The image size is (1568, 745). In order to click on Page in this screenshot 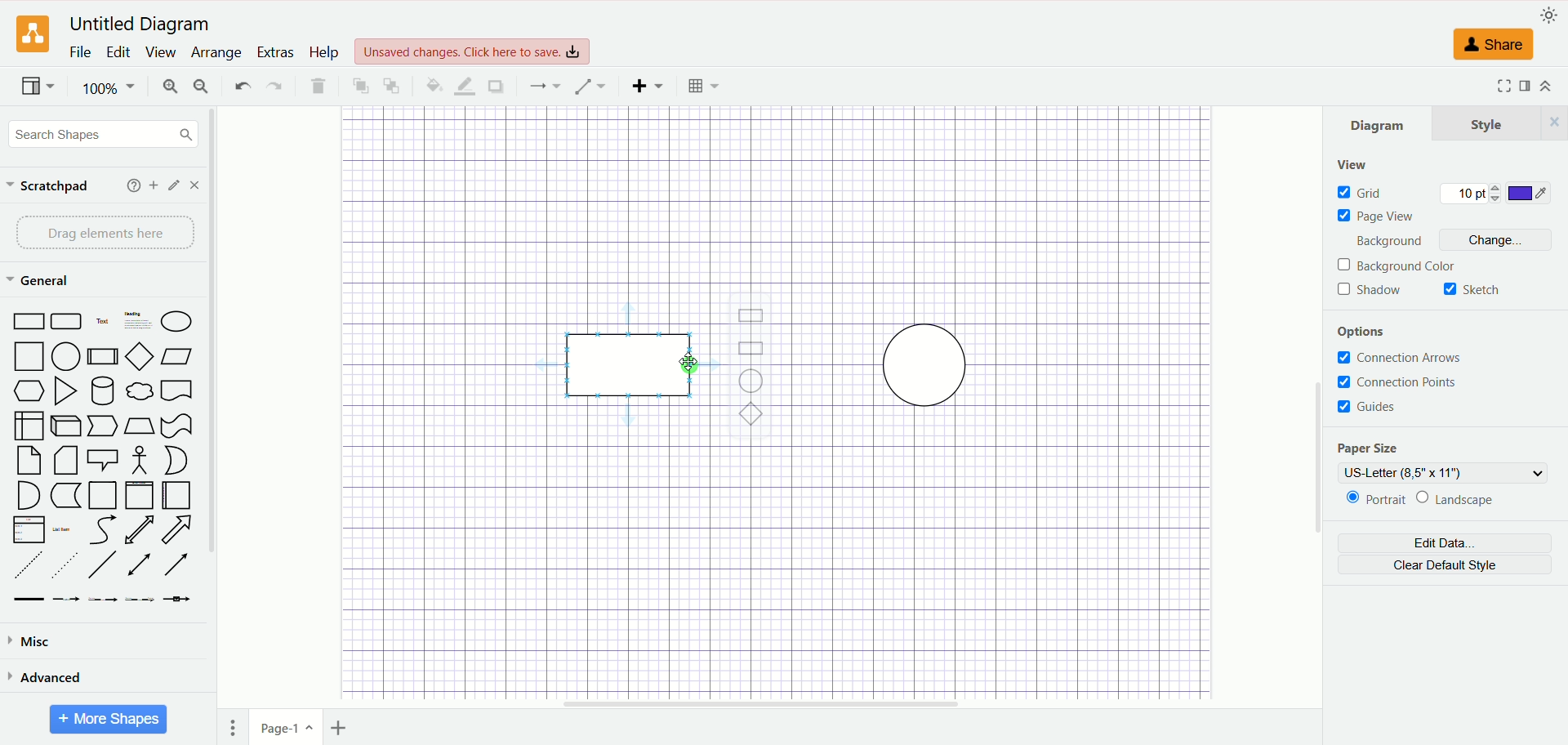, I will do `click(101, 495)`.